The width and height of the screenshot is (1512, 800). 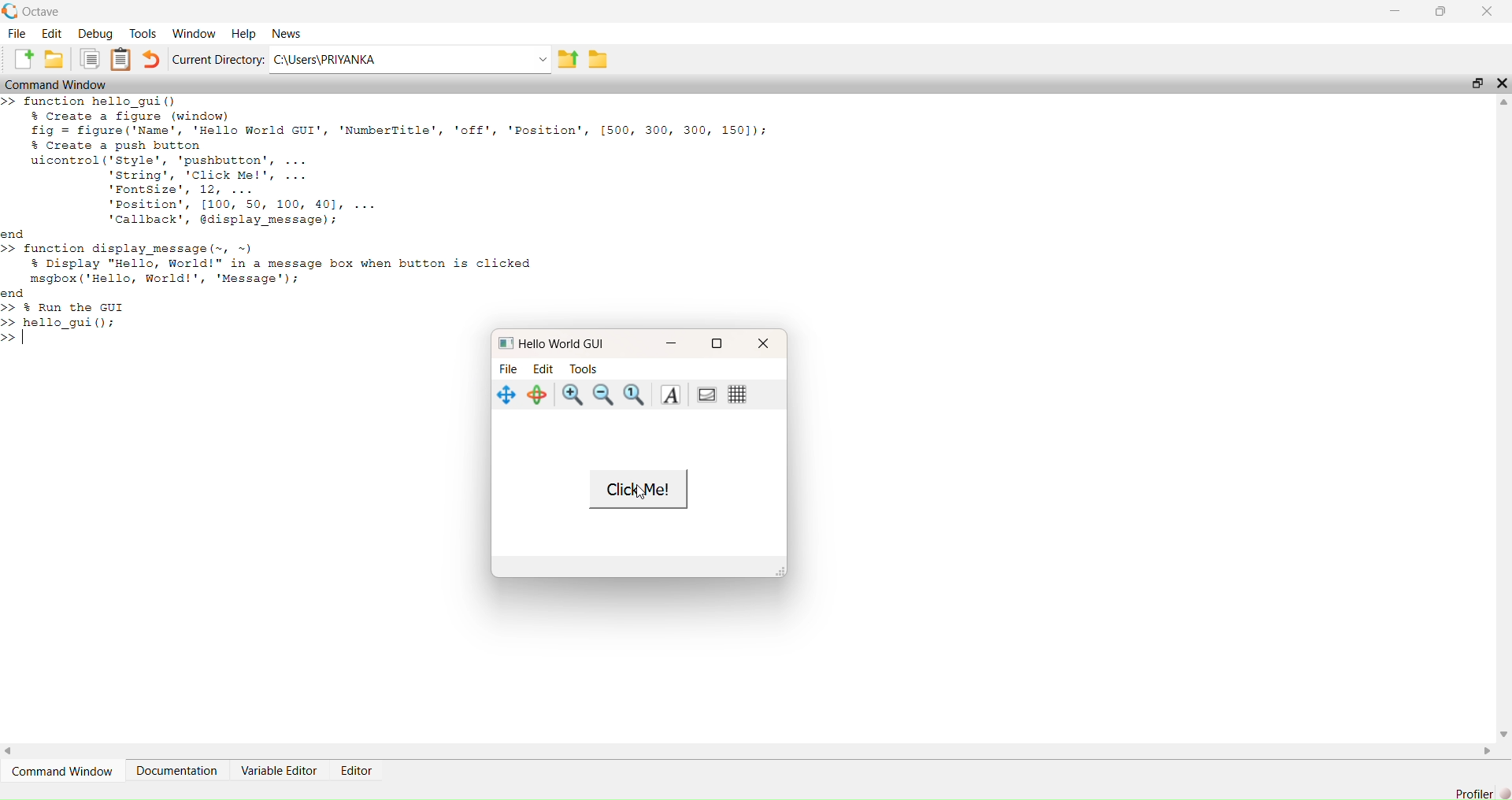 What do you see at coordinates (736, 396) in the screenshot?
I see `grid` at bounding box center [736, 396].